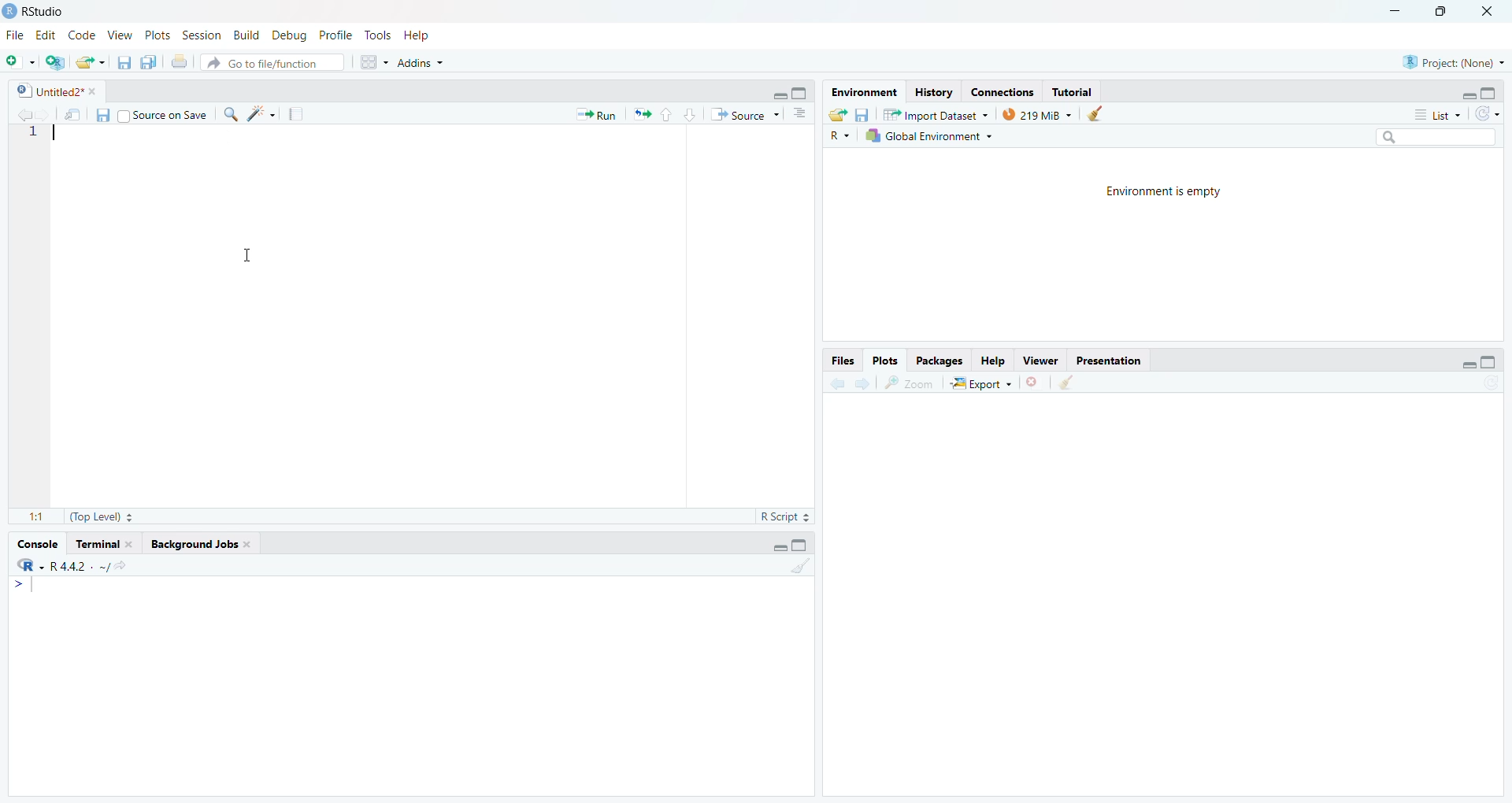 The width and height of the screenshot is (1512, 803). Describe the element at coordinates (839, 135) in the screenshot. I see `R` at that location.